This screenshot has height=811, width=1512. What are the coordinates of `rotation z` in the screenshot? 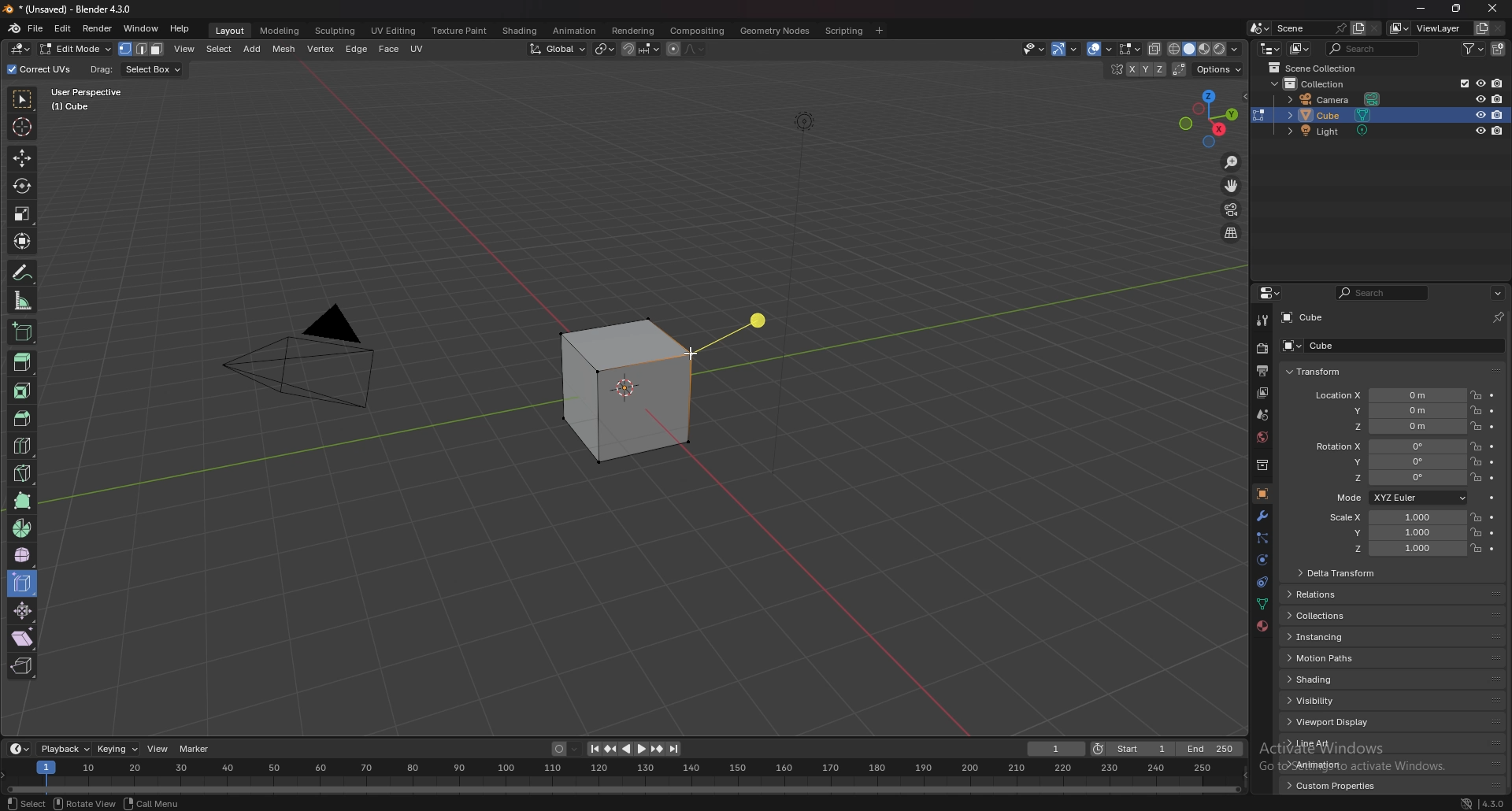 It's located at (1395, 479).